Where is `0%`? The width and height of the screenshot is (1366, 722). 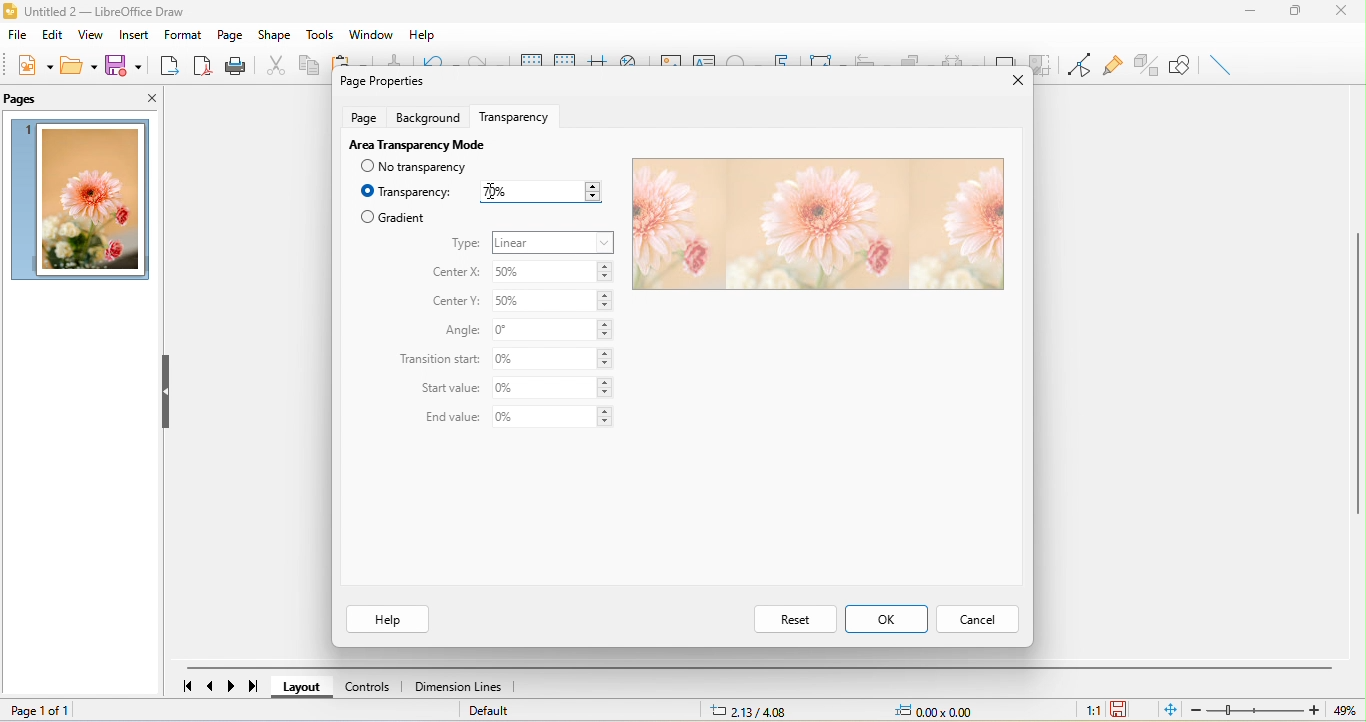 0% is located at coordinates (552, 418).